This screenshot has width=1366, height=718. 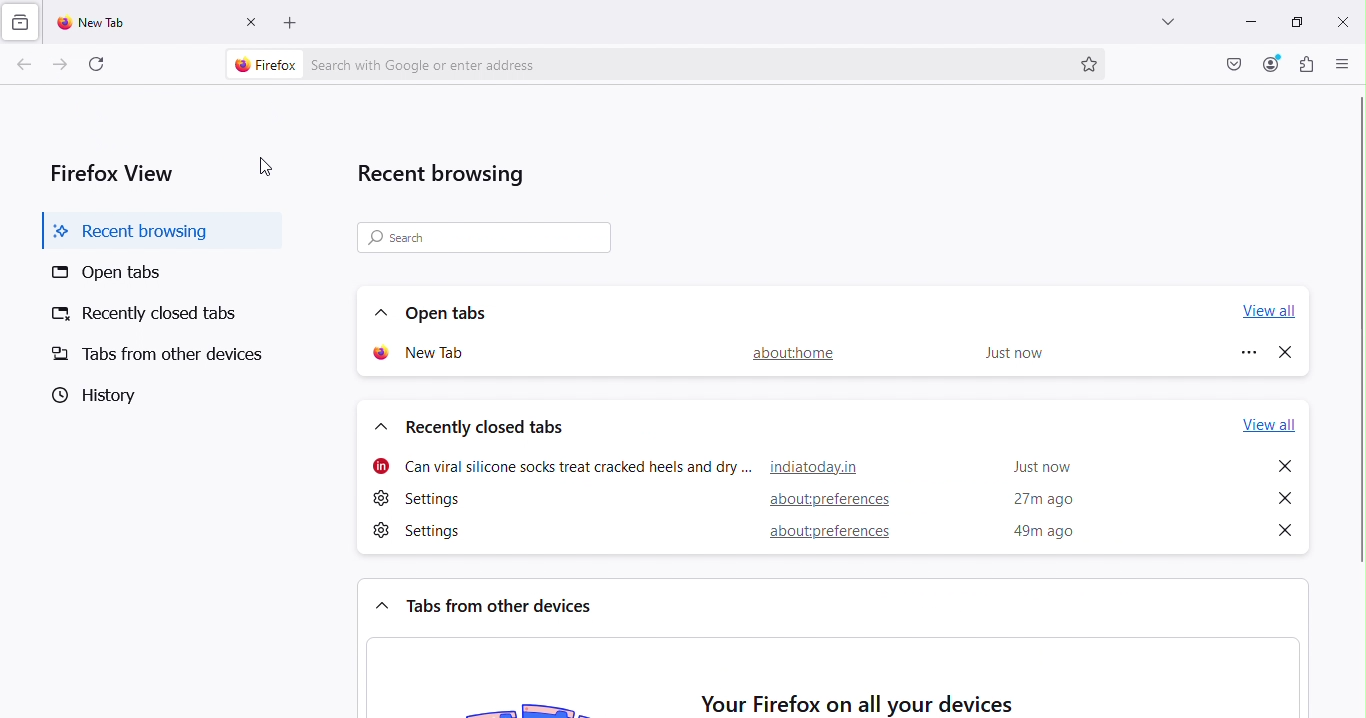 I want to click on time, so click(x=1044, y=501).